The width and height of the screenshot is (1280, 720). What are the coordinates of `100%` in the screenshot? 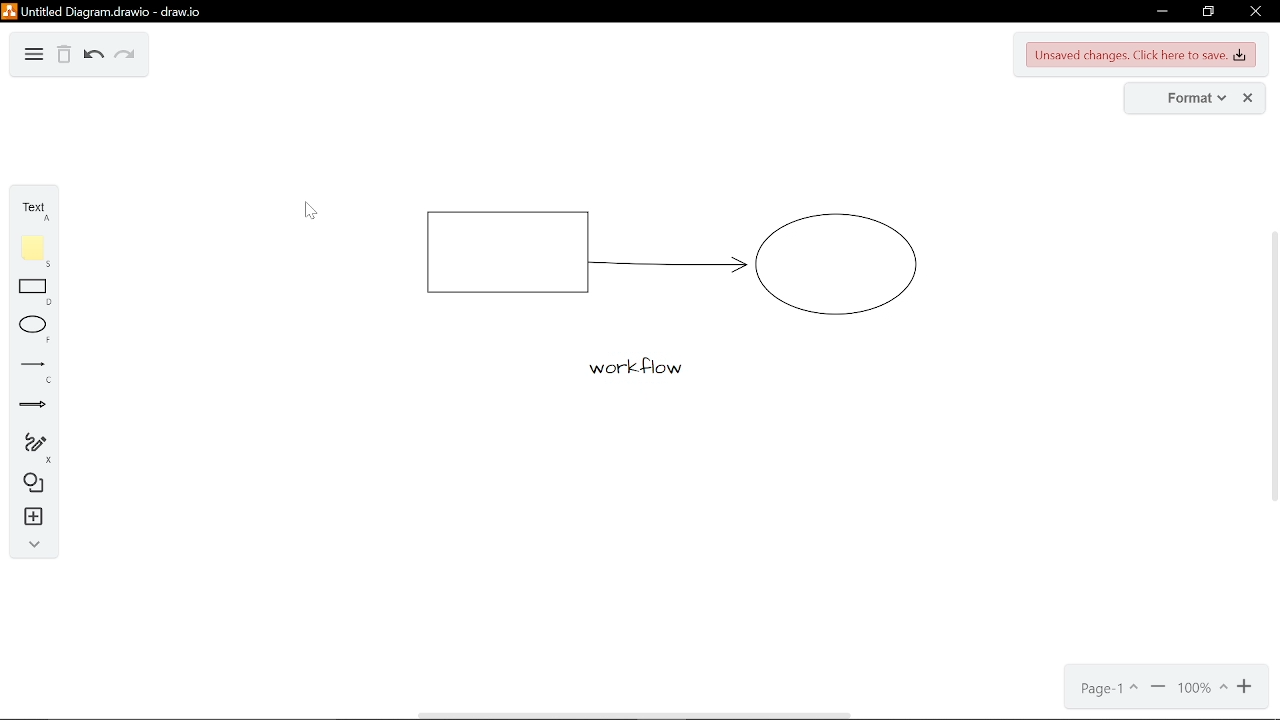 It's located at (1201, 688).